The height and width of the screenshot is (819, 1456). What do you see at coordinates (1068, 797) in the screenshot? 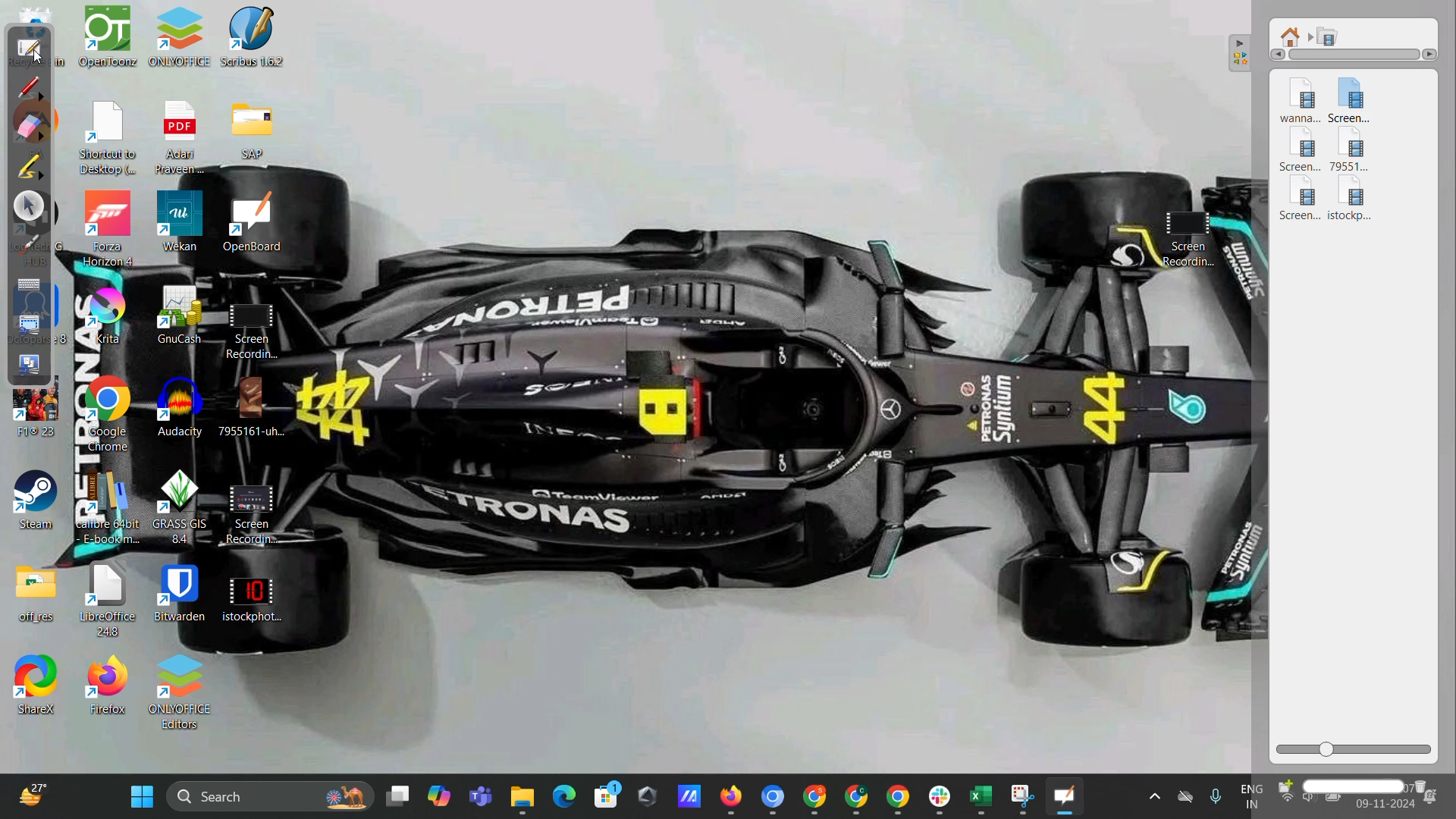
I see `minimized Openboard` at bounding box center [1068, 797].